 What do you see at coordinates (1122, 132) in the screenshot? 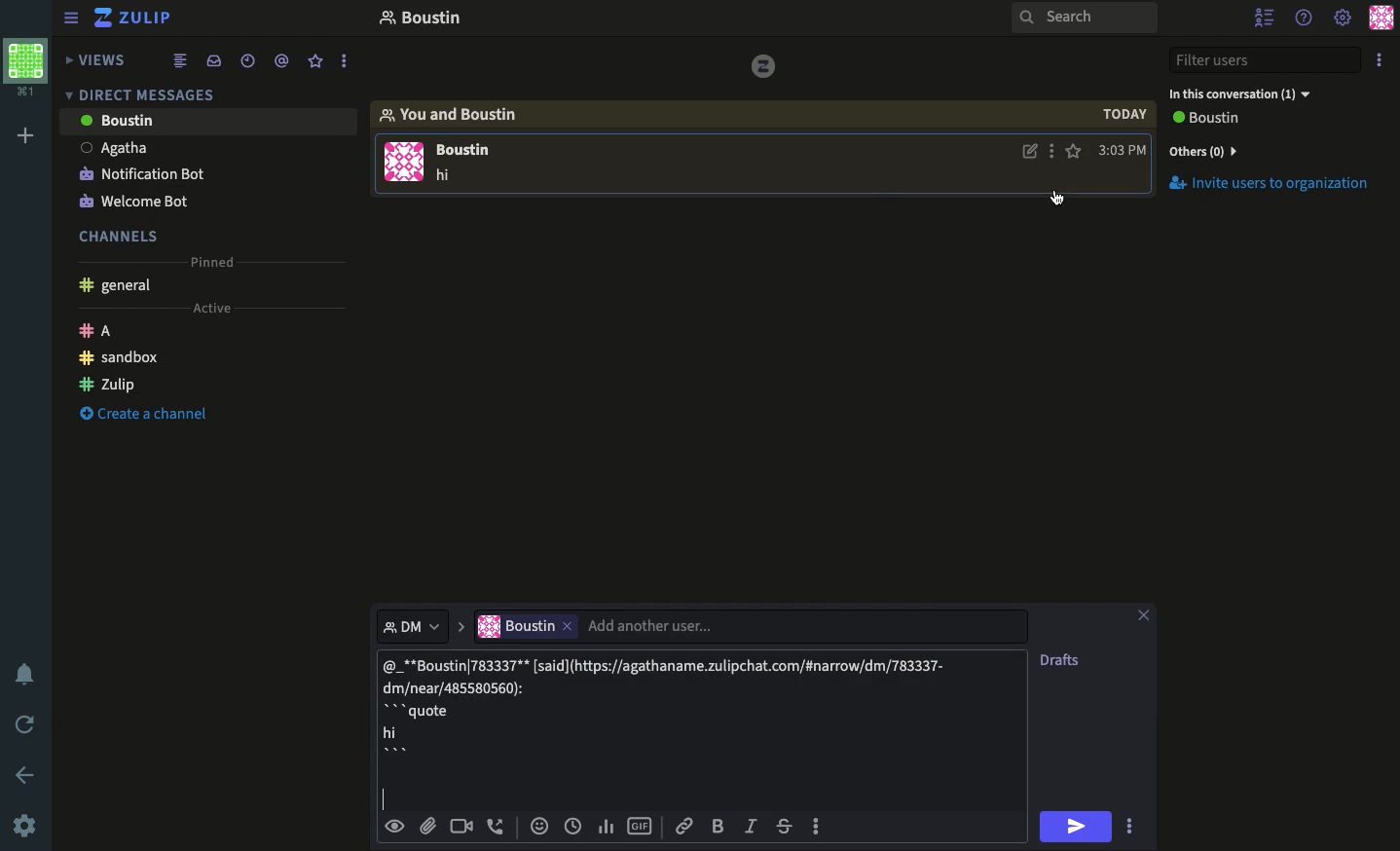
I see `Time` at bounding box center [1122, 132].